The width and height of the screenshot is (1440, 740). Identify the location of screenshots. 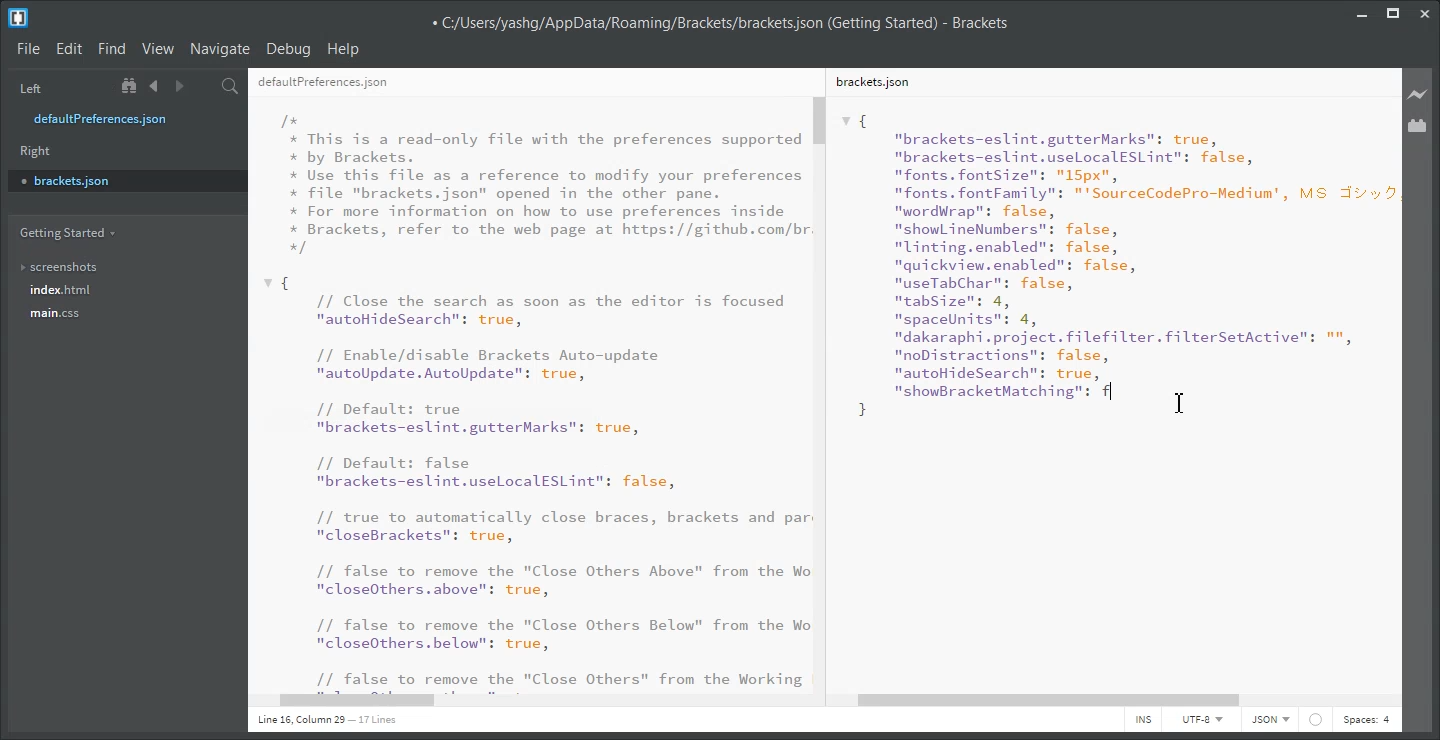
(60, 263).